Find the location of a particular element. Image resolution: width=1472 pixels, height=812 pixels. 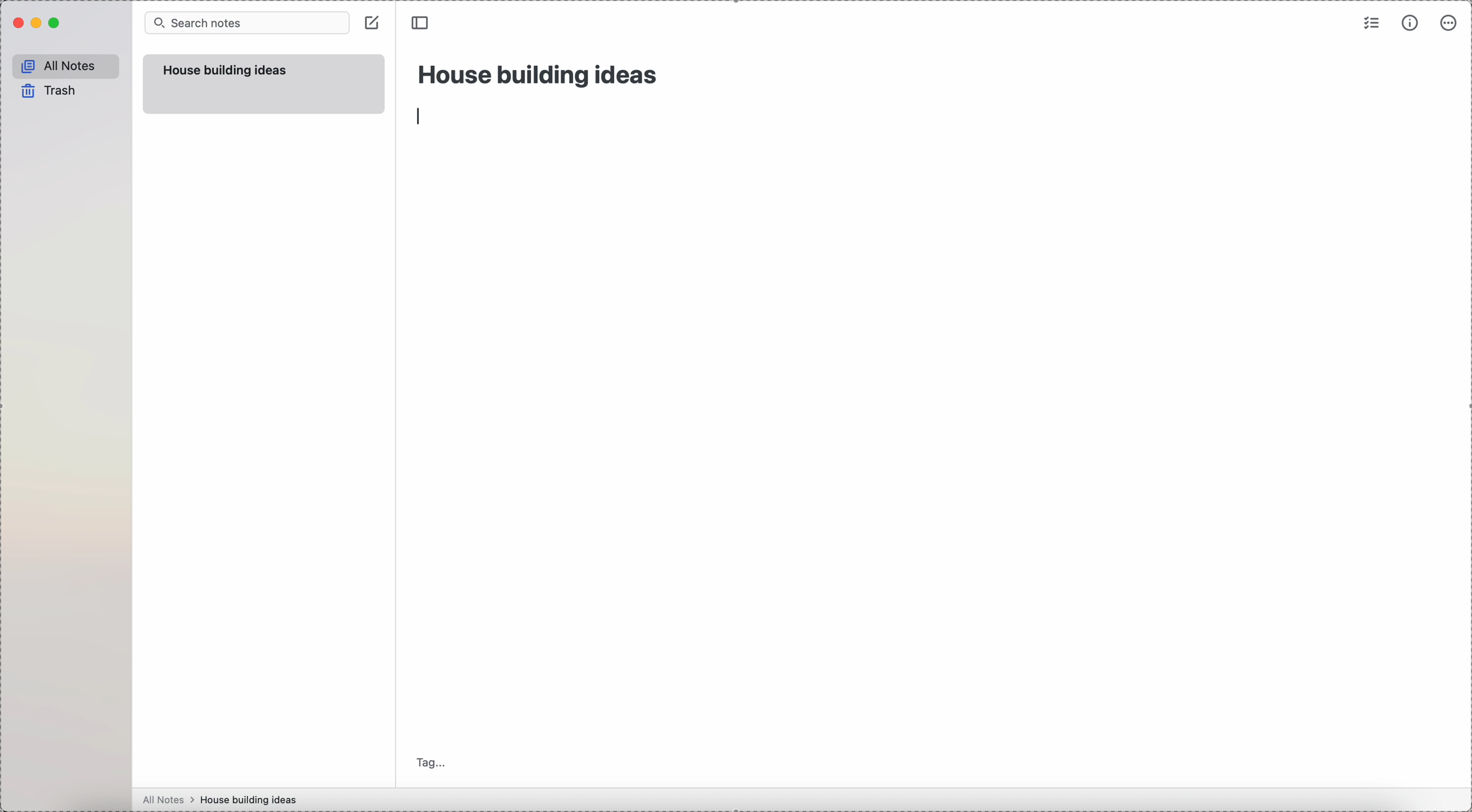

check list is located at coordinates (1370, 25).